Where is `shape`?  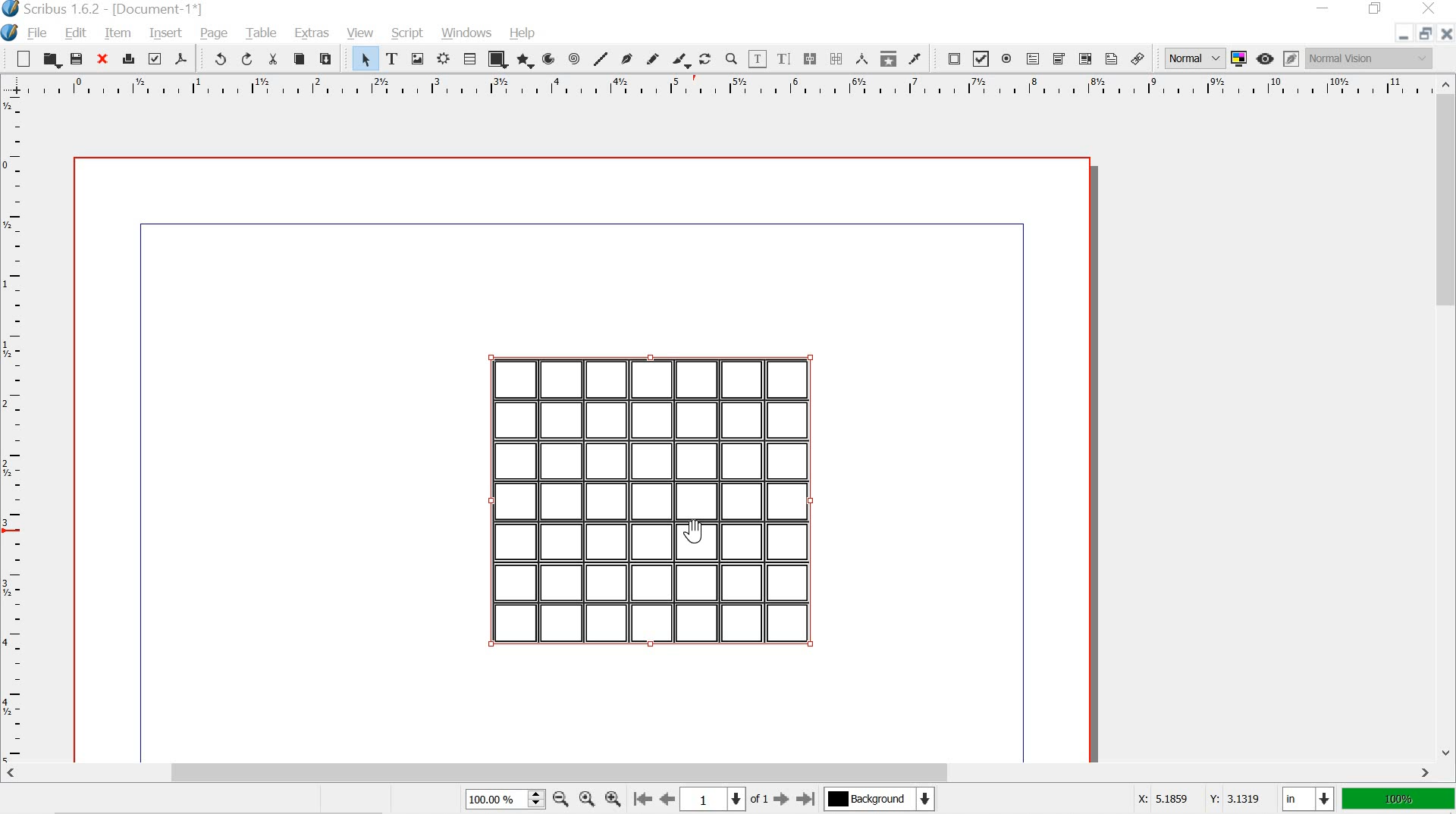
shape is located at coordinates (500, 59).